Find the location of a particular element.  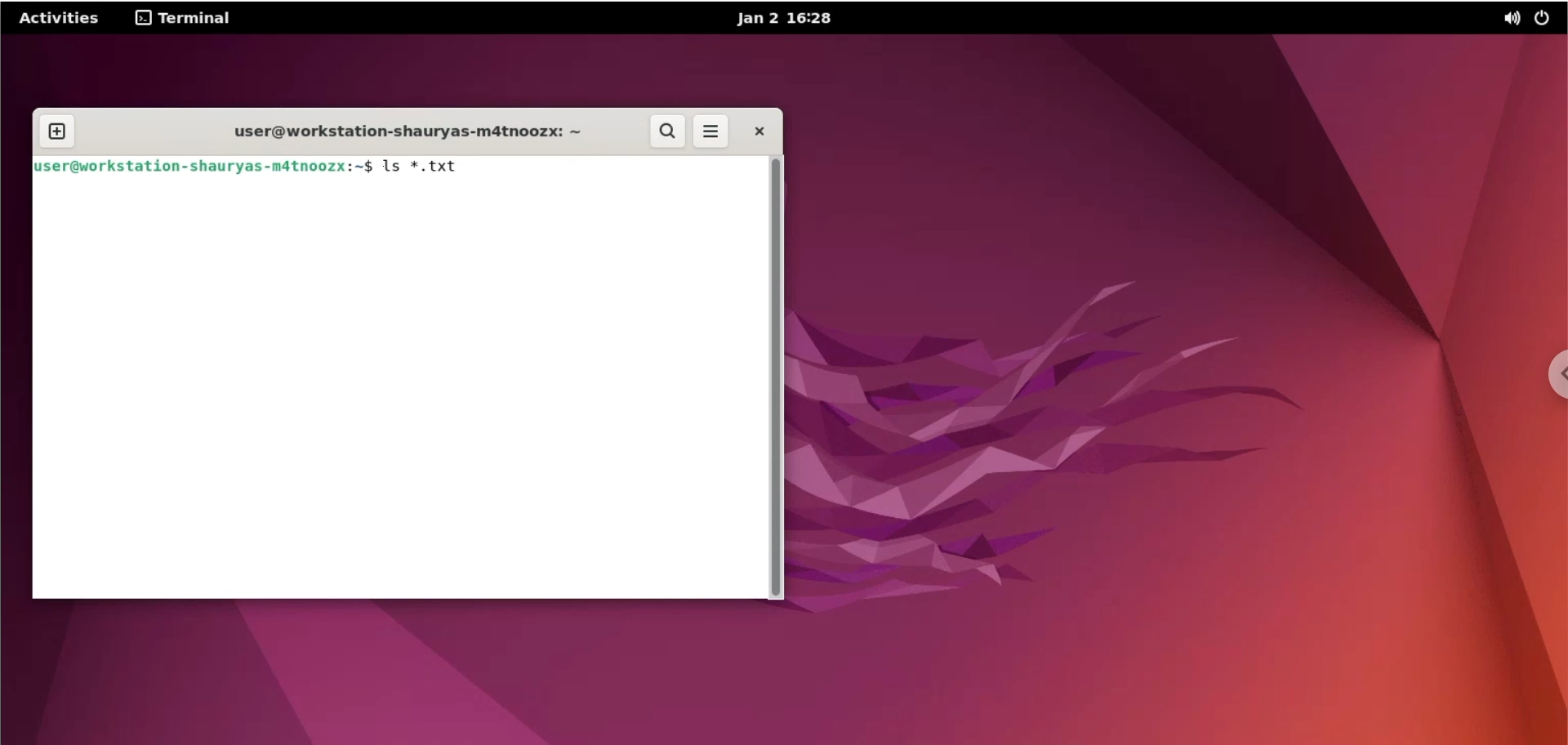

new tab is located at coordinates (60, 129).